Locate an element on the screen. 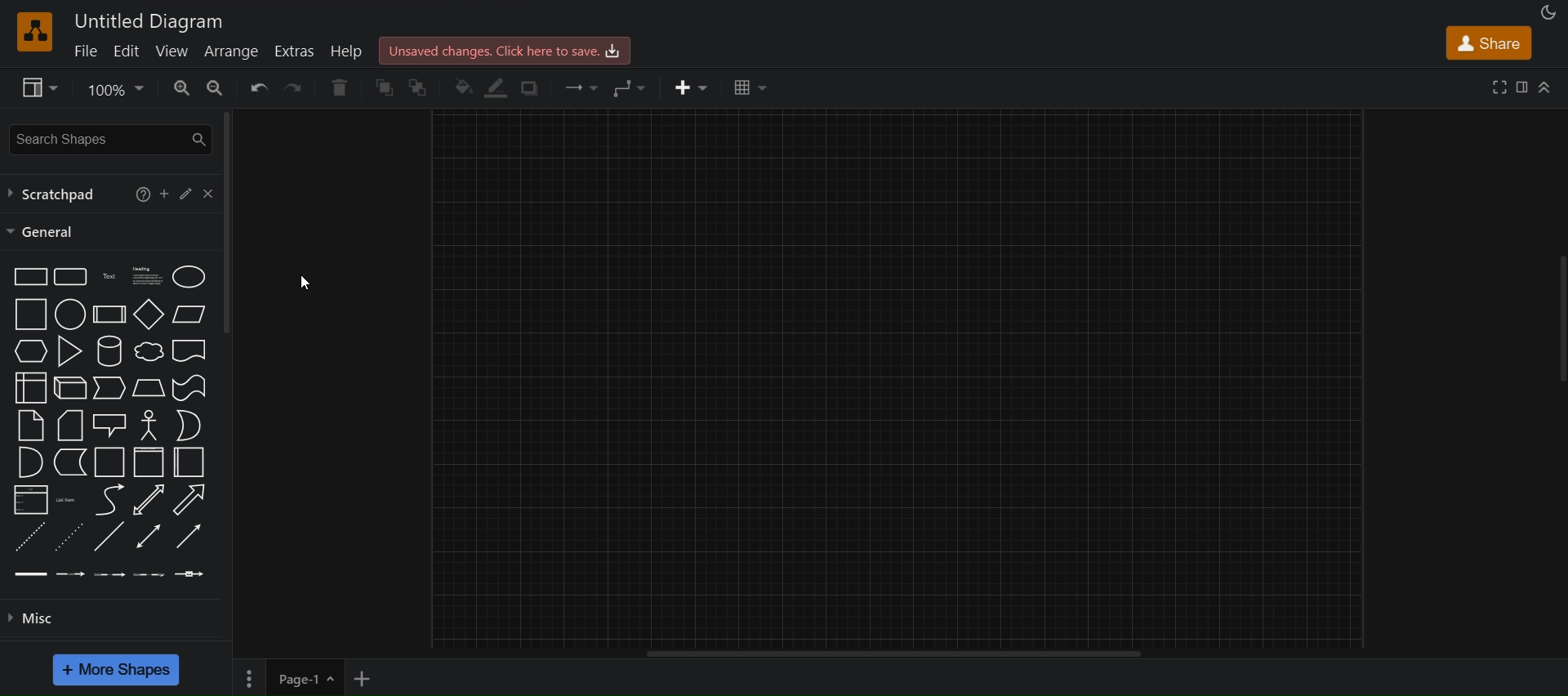 The height and width of the screenshot is (696, 1568). edit is located at coordinates (131, 51).